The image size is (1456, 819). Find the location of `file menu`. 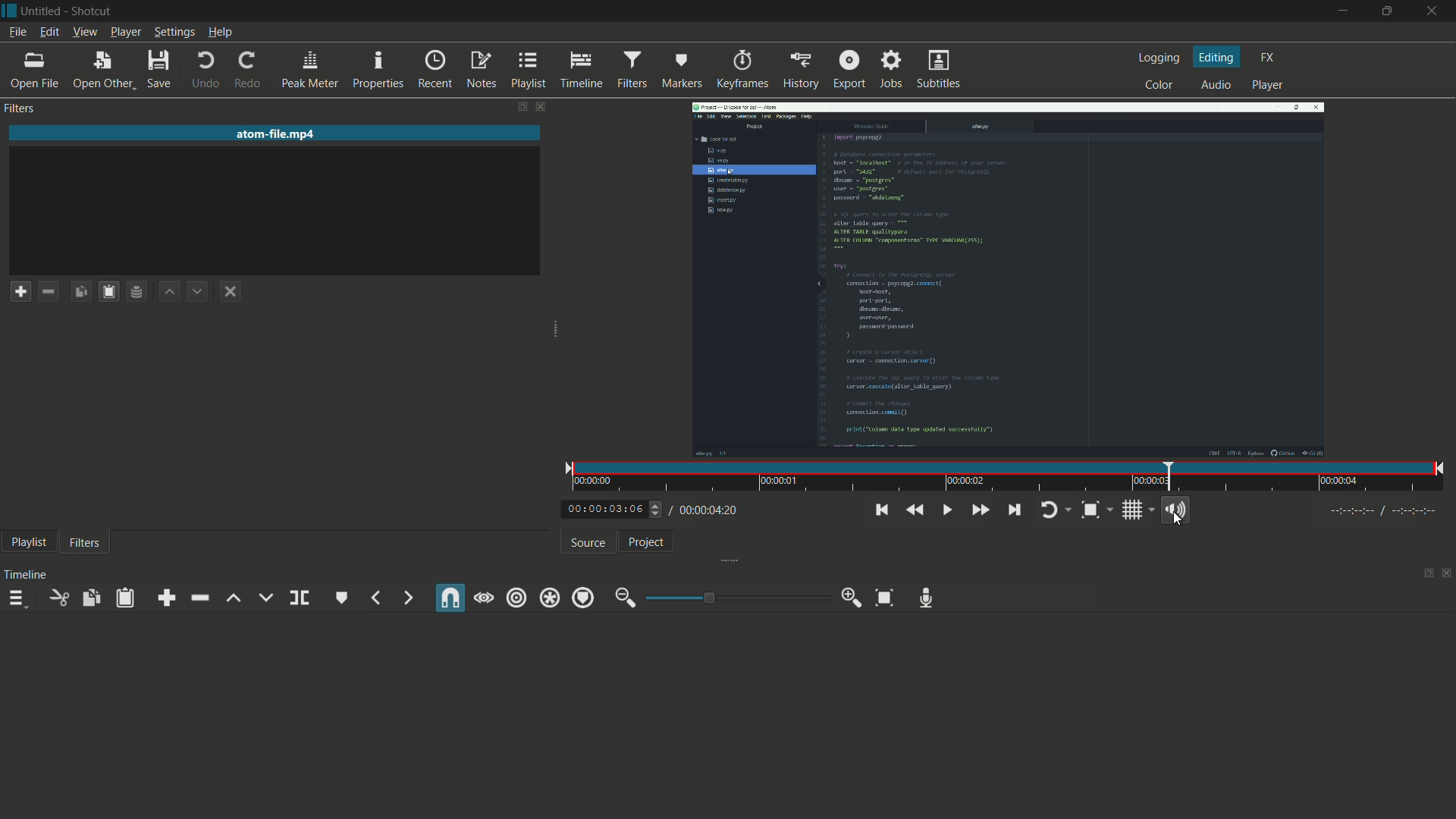

file menu is located at coordinates (15, 31).